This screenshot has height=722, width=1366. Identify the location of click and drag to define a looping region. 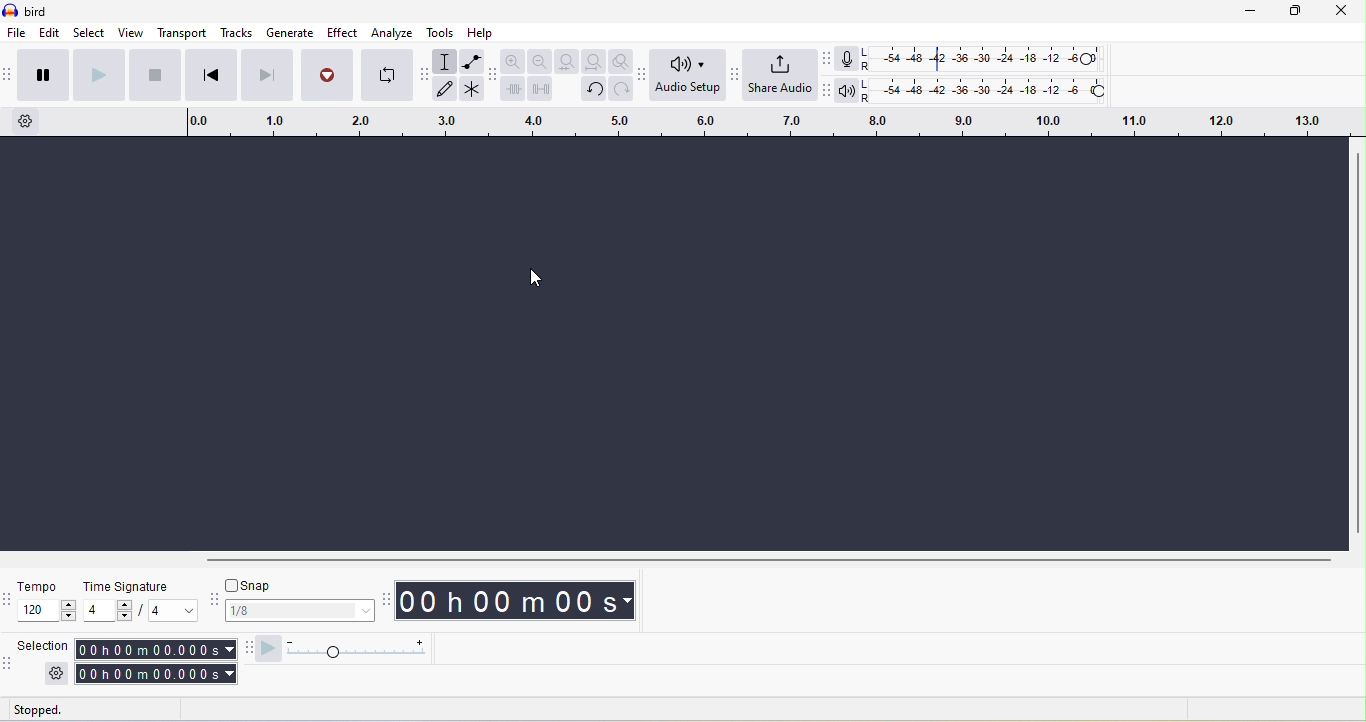
(759, 125).